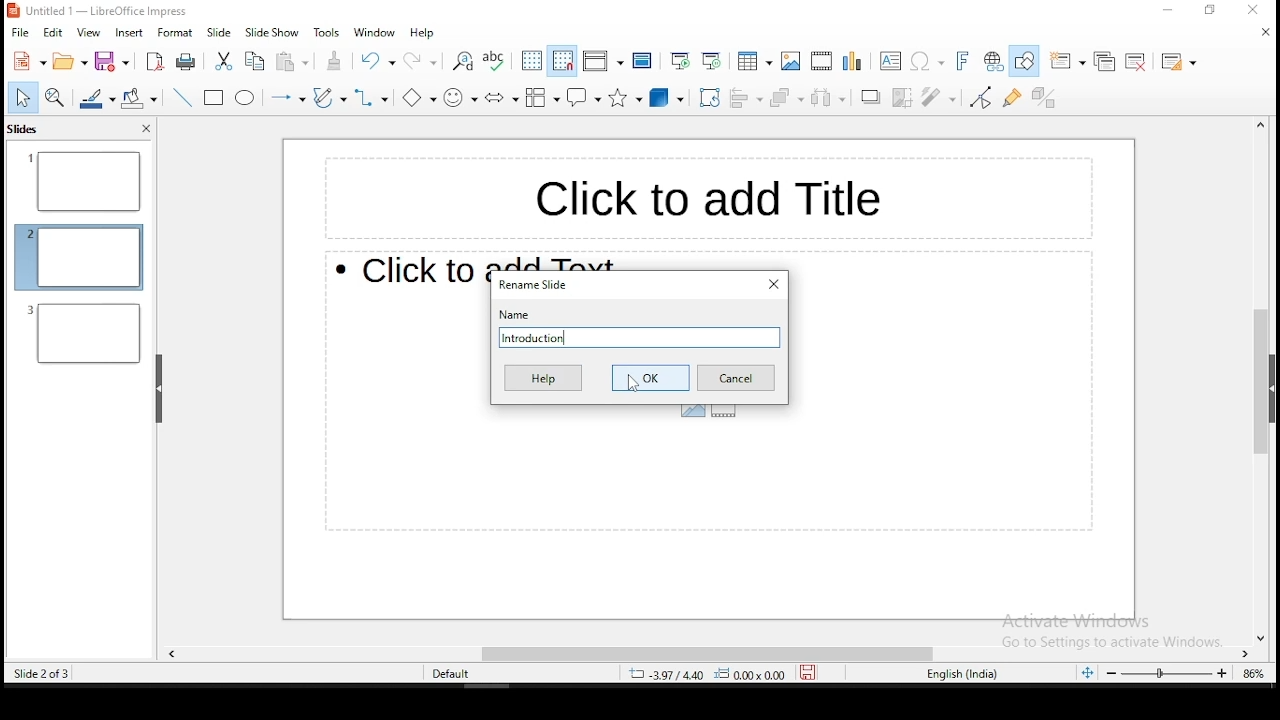  Describe the element at coordinates (1104, 60) in the screenshot. I see `duplicate slide` at that location.